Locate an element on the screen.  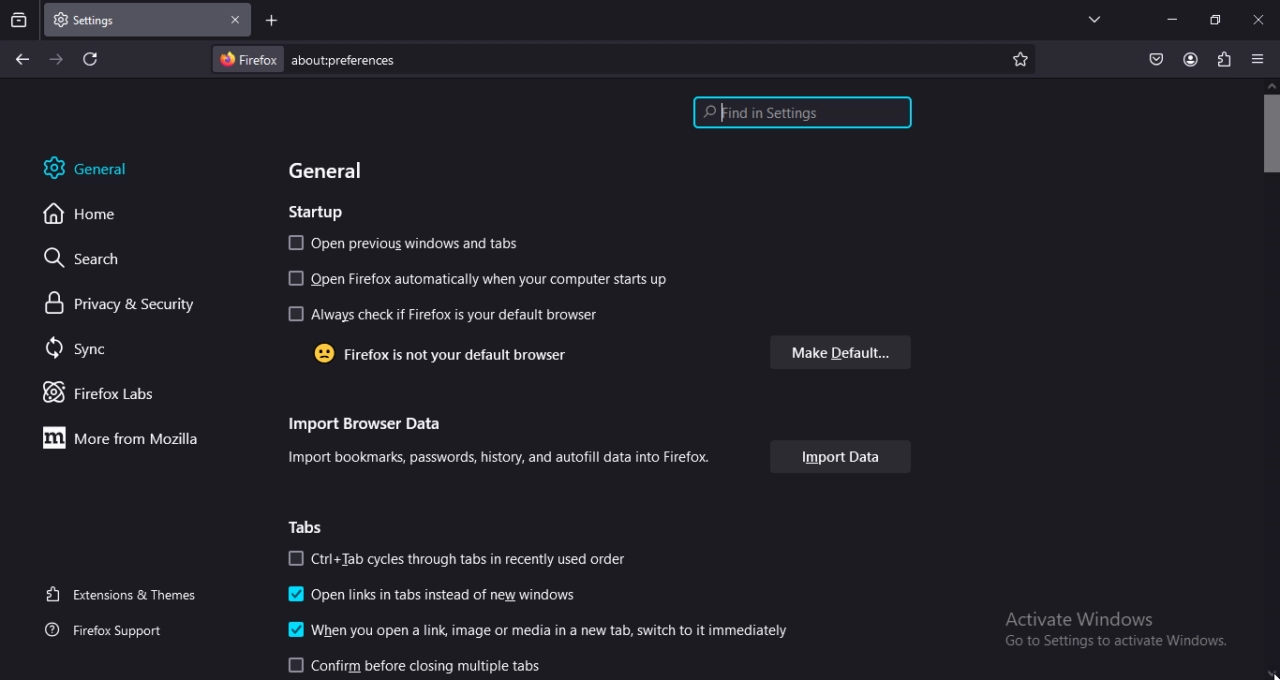
go forward one page is located at coordinates (56, 59).